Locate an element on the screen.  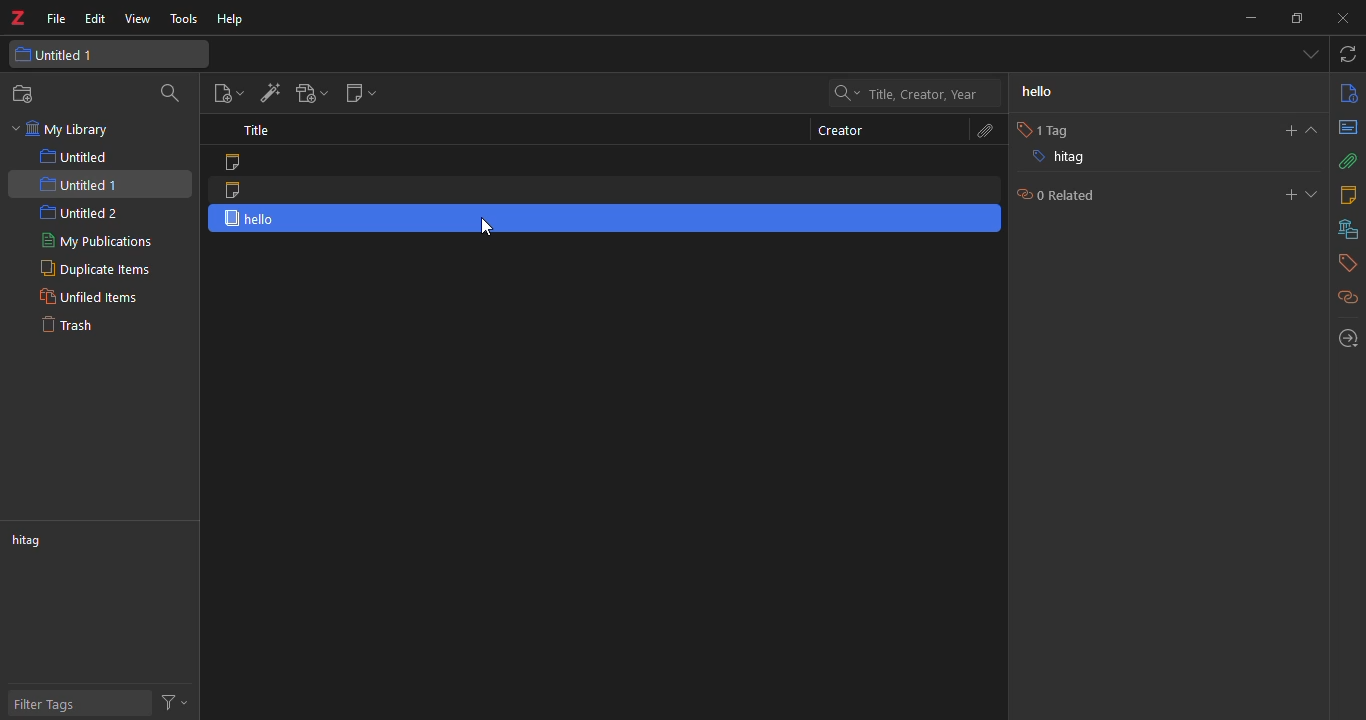
hitag is located at coordinates (33, 542).